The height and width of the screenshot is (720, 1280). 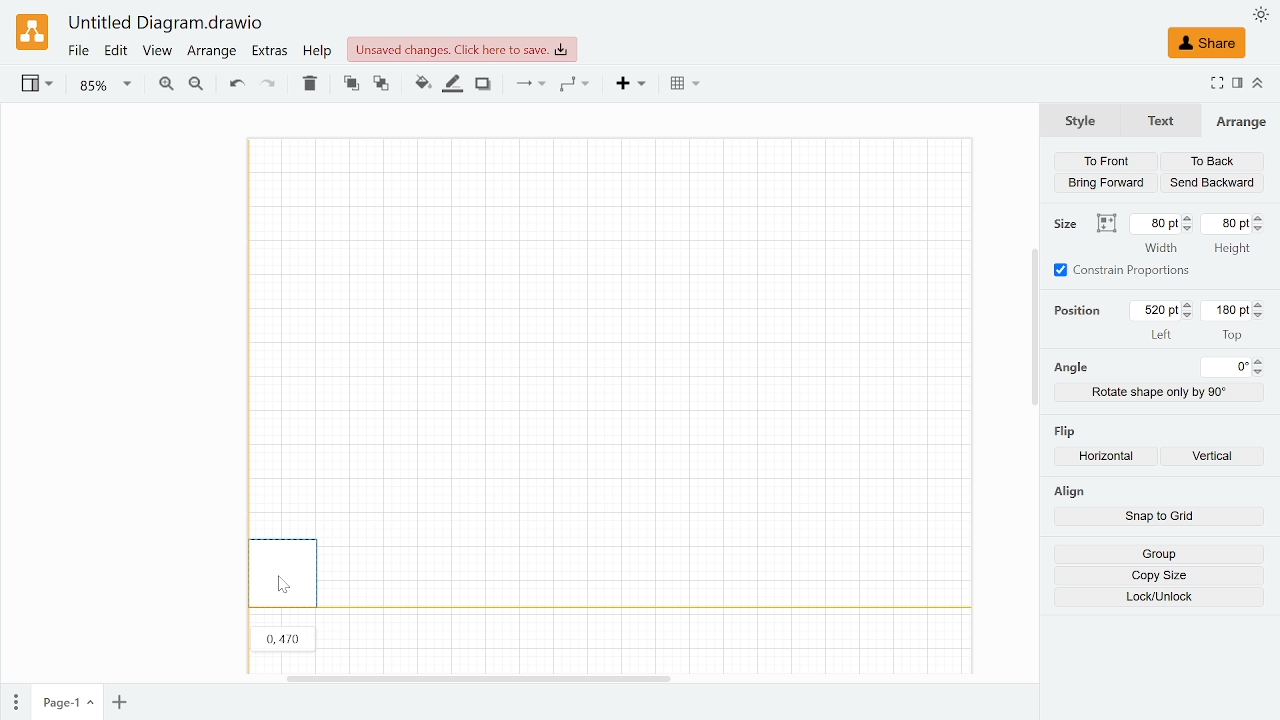 What do you see at coordinates (309, 83) in the screenshot?
I see `Delete` at bounding box center [309, 83].